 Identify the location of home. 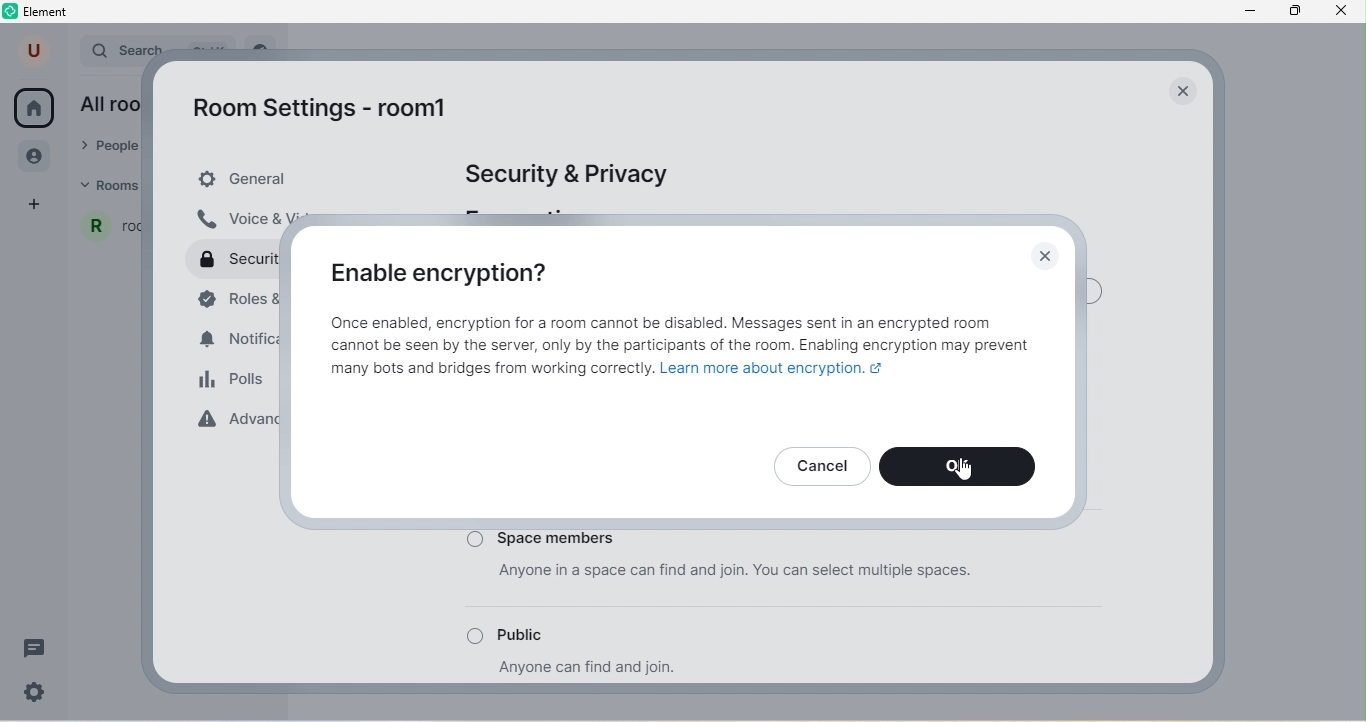
(34, 108).